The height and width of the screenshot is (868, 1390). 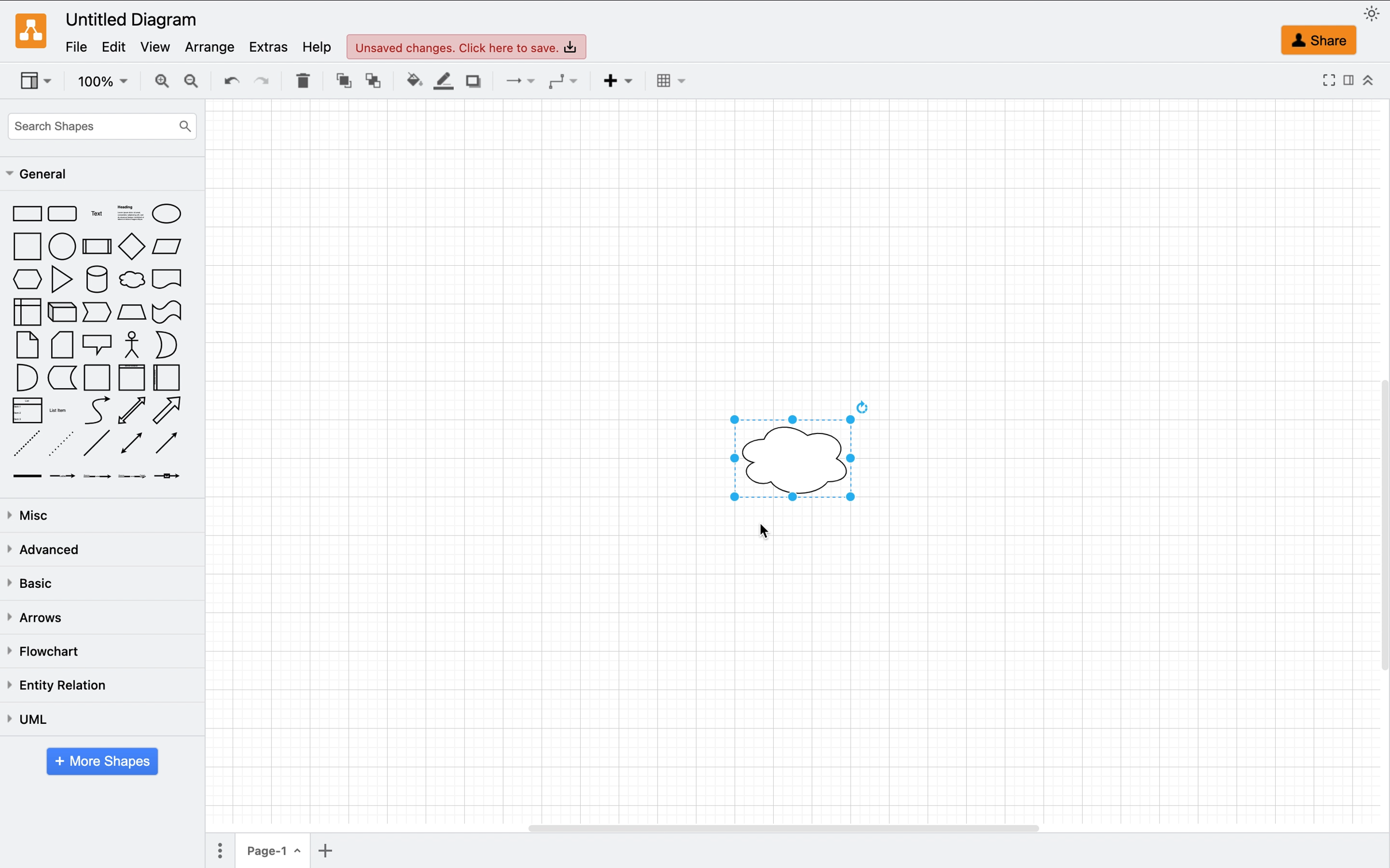 I want to click on connector with symbol, so click(x=175, y=476).